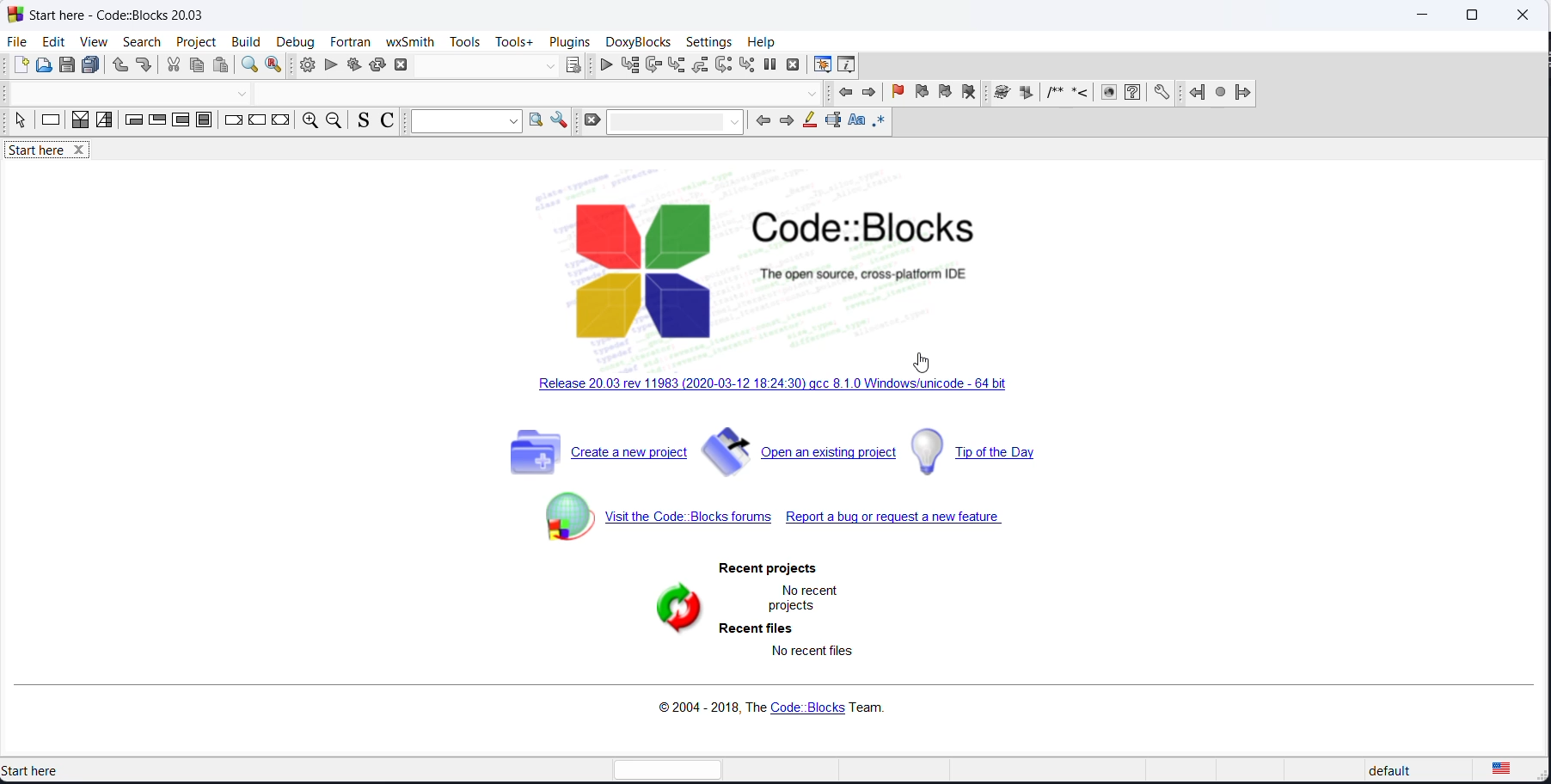 The width and height of the screenshot is (1551, 784). Describe the element at coordinates (259, 121) in the screenshot. I see `continue instruction` at that location.